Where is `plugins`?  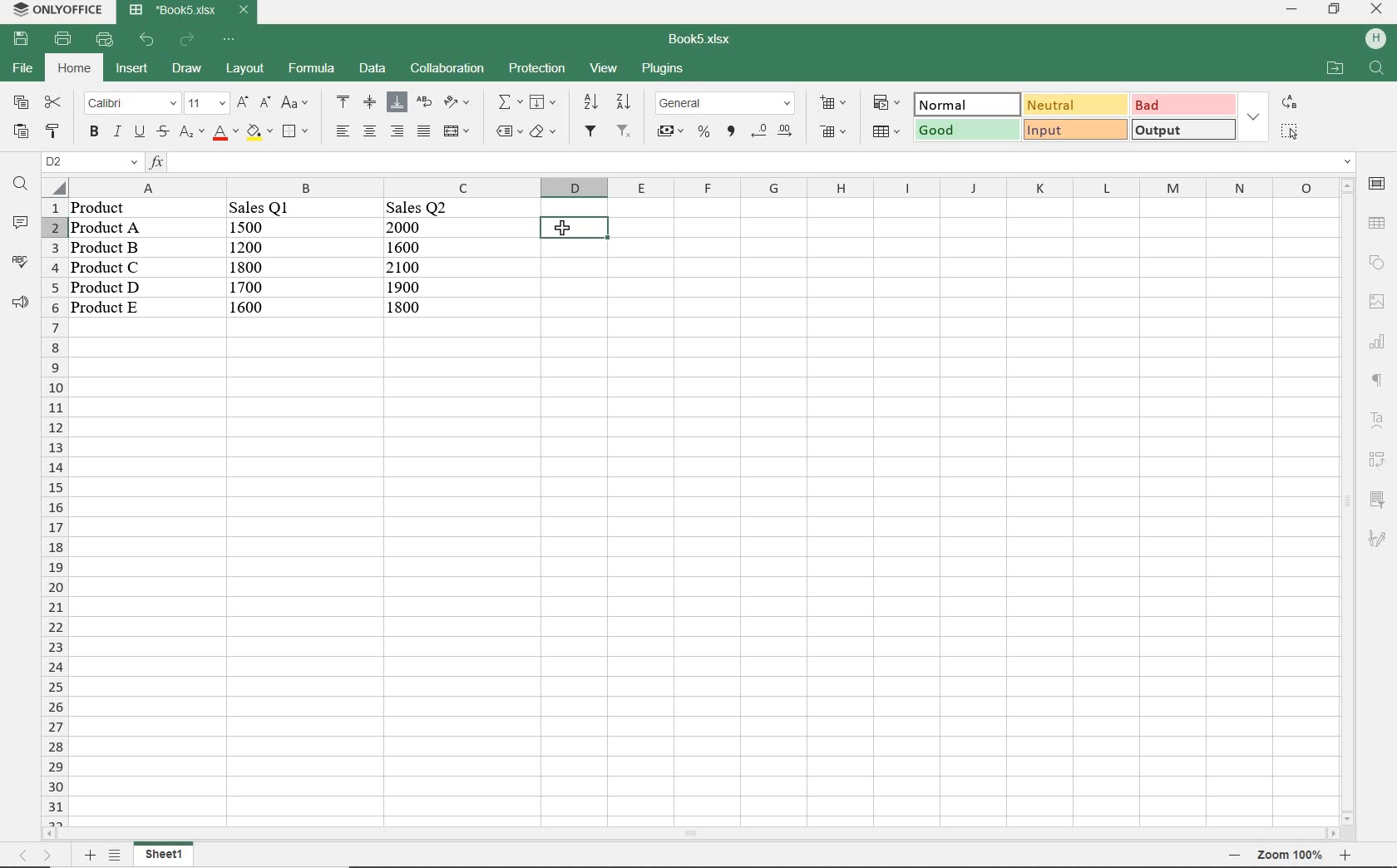
plugins is located at coordinates (664, 67).